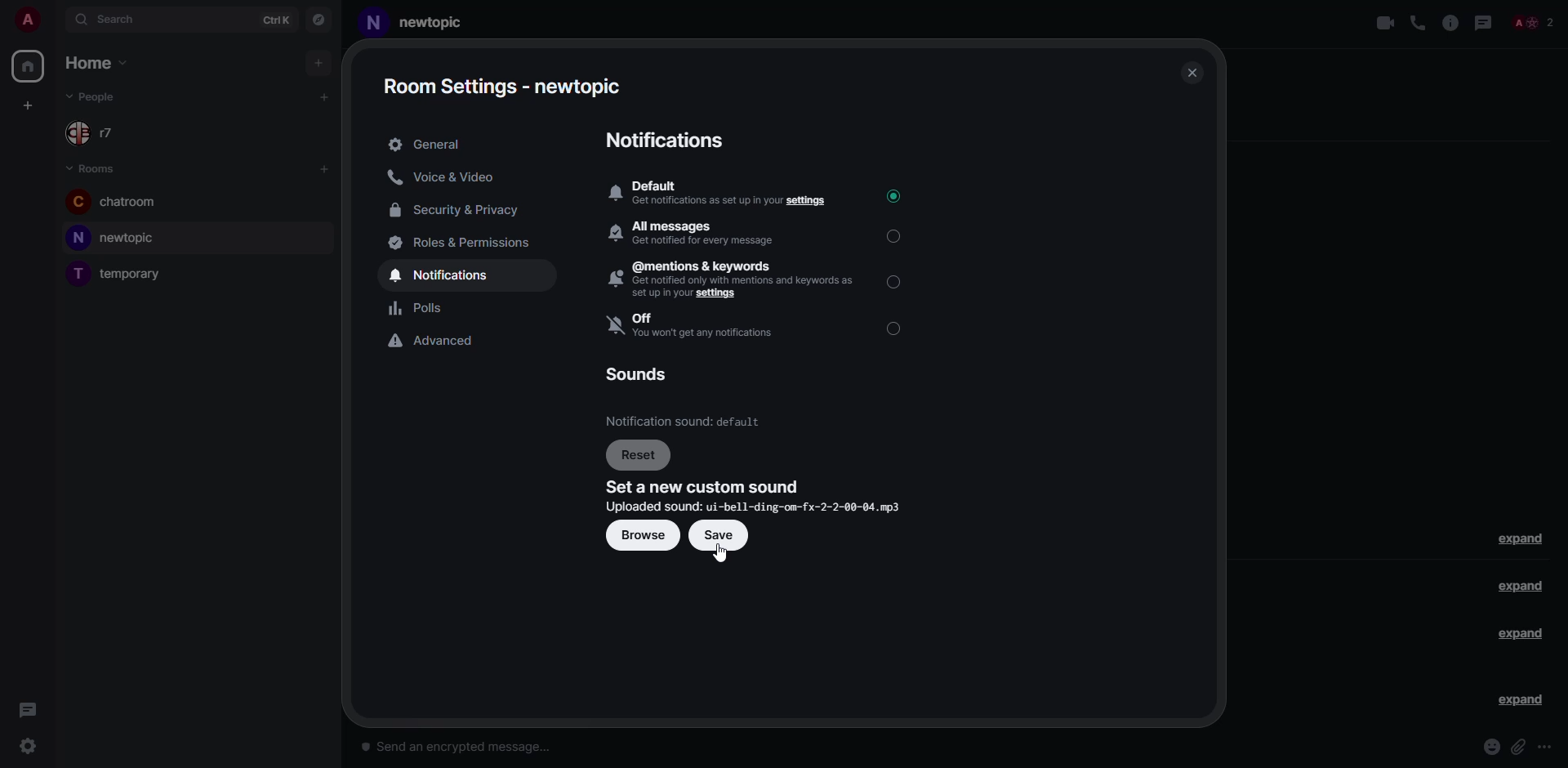  What do you see at coordinates (665, 141) in the screenshot?
I see `notifications` at bounding box center [665, 141].